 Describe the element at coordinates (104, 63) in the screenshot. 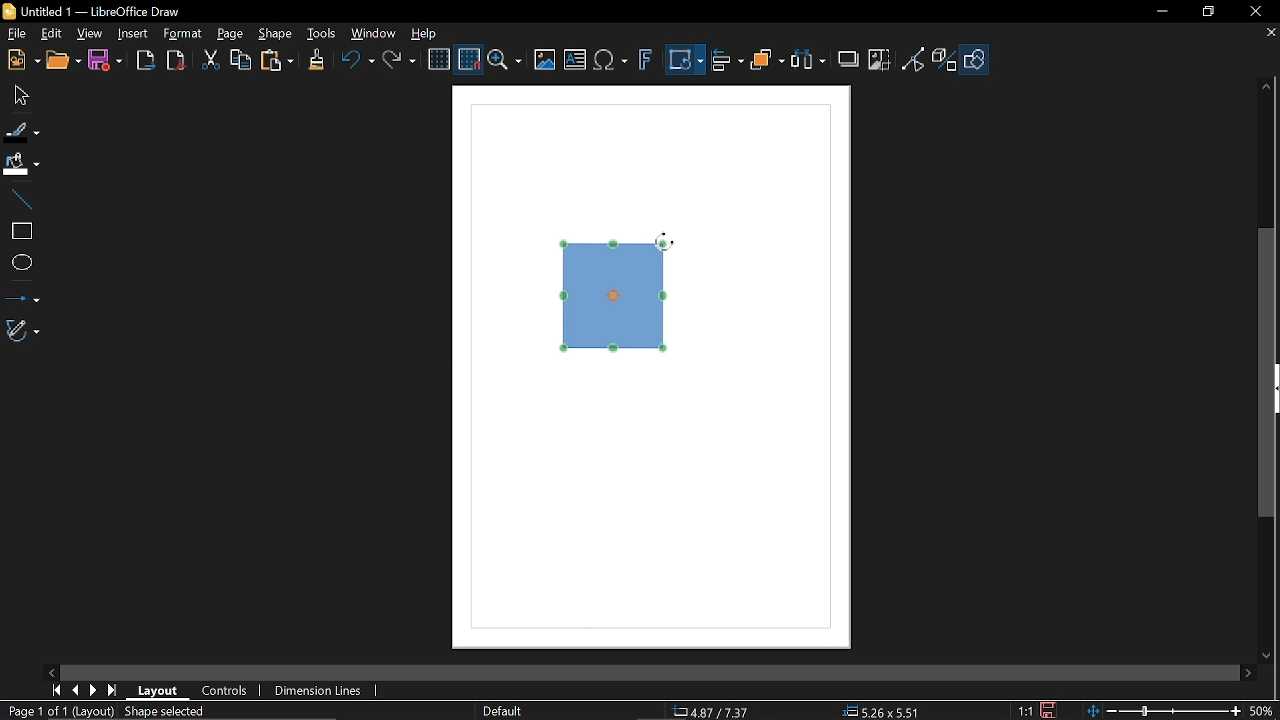

I see `Save` at that location.